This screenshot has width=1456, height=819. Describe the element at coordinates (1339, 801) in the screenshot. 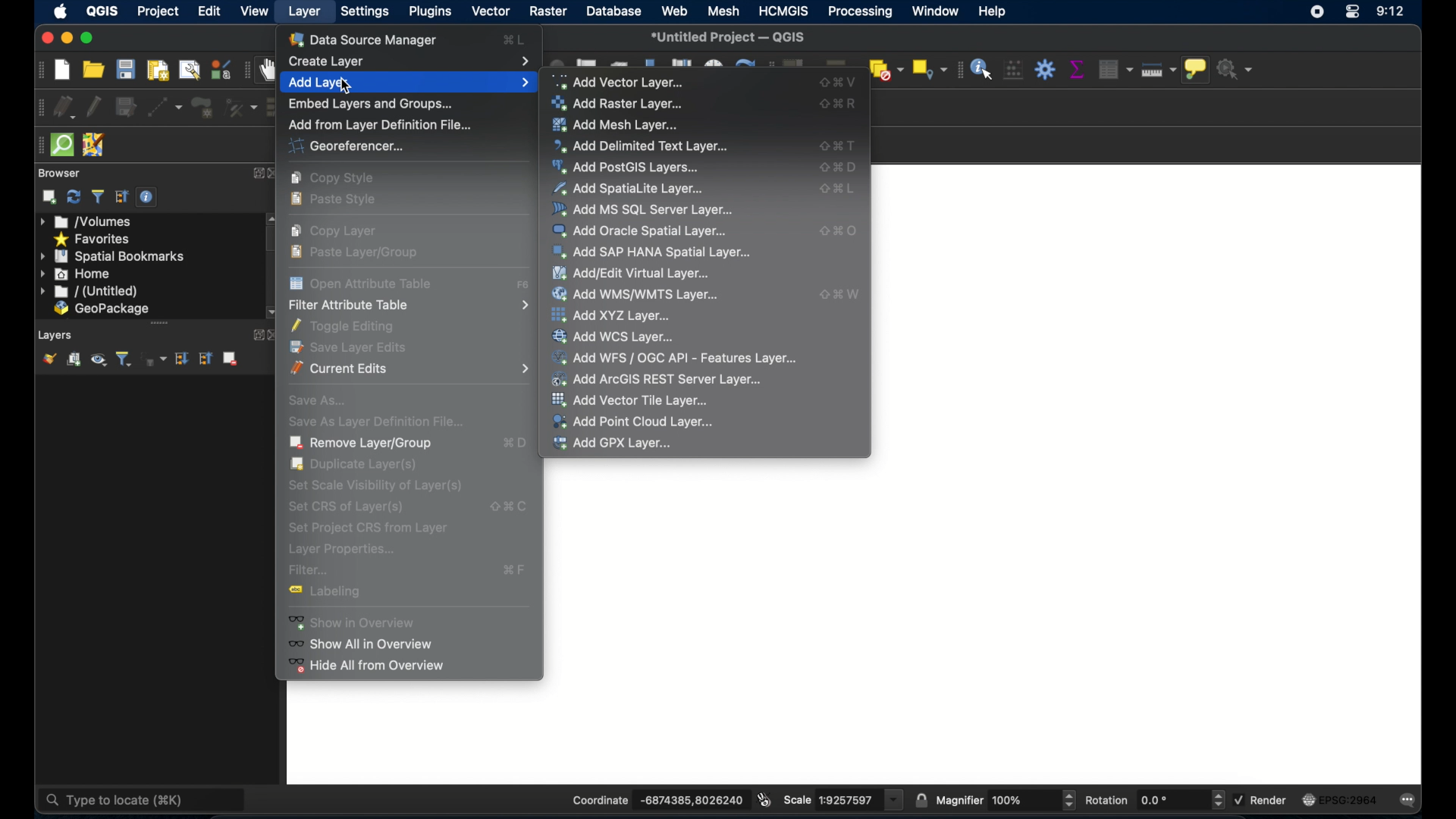

I see `current crs` at that location.